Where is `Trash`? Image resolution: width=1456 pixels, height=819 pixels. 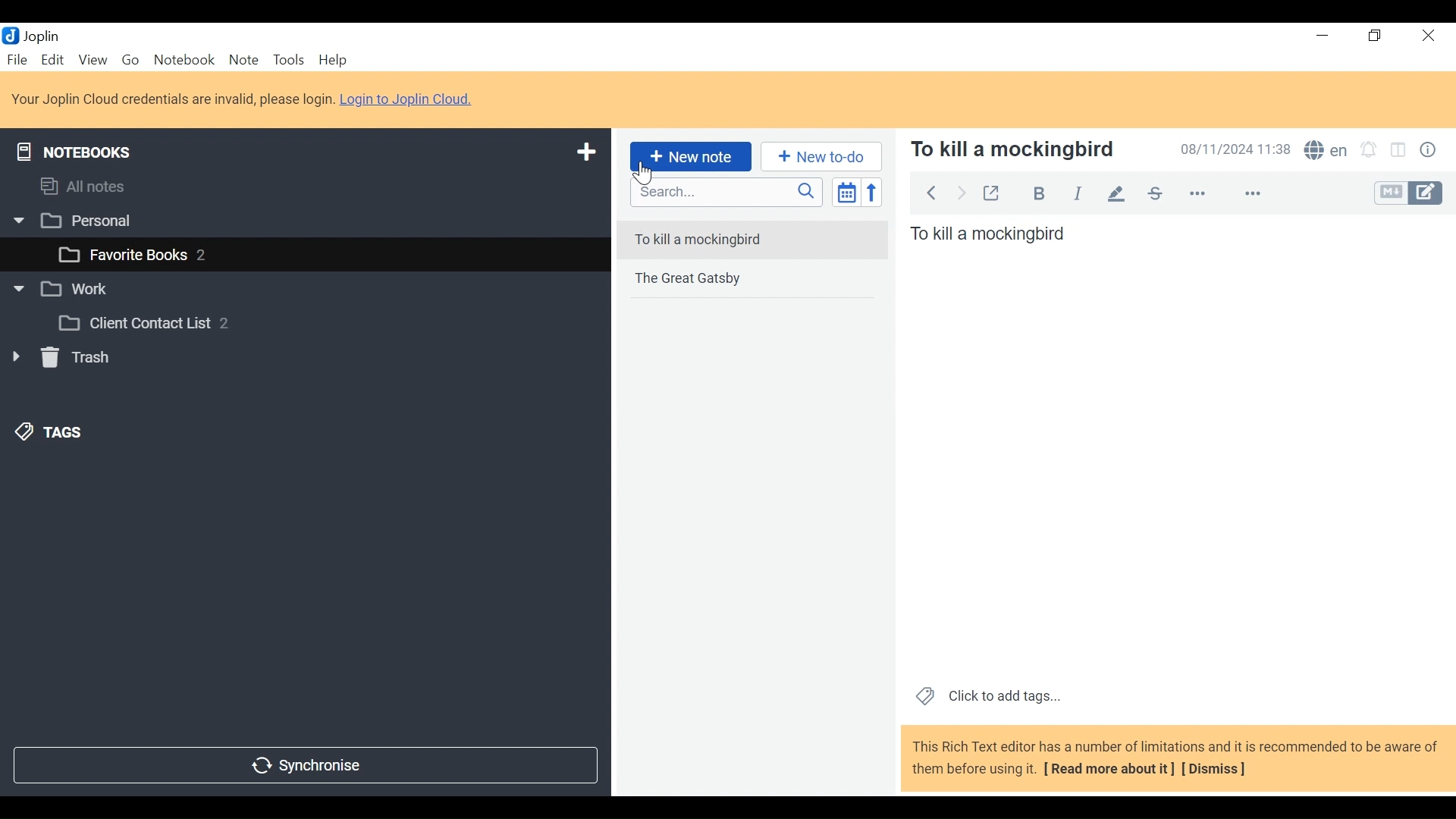 Trash is located at coordinates (62, 360).